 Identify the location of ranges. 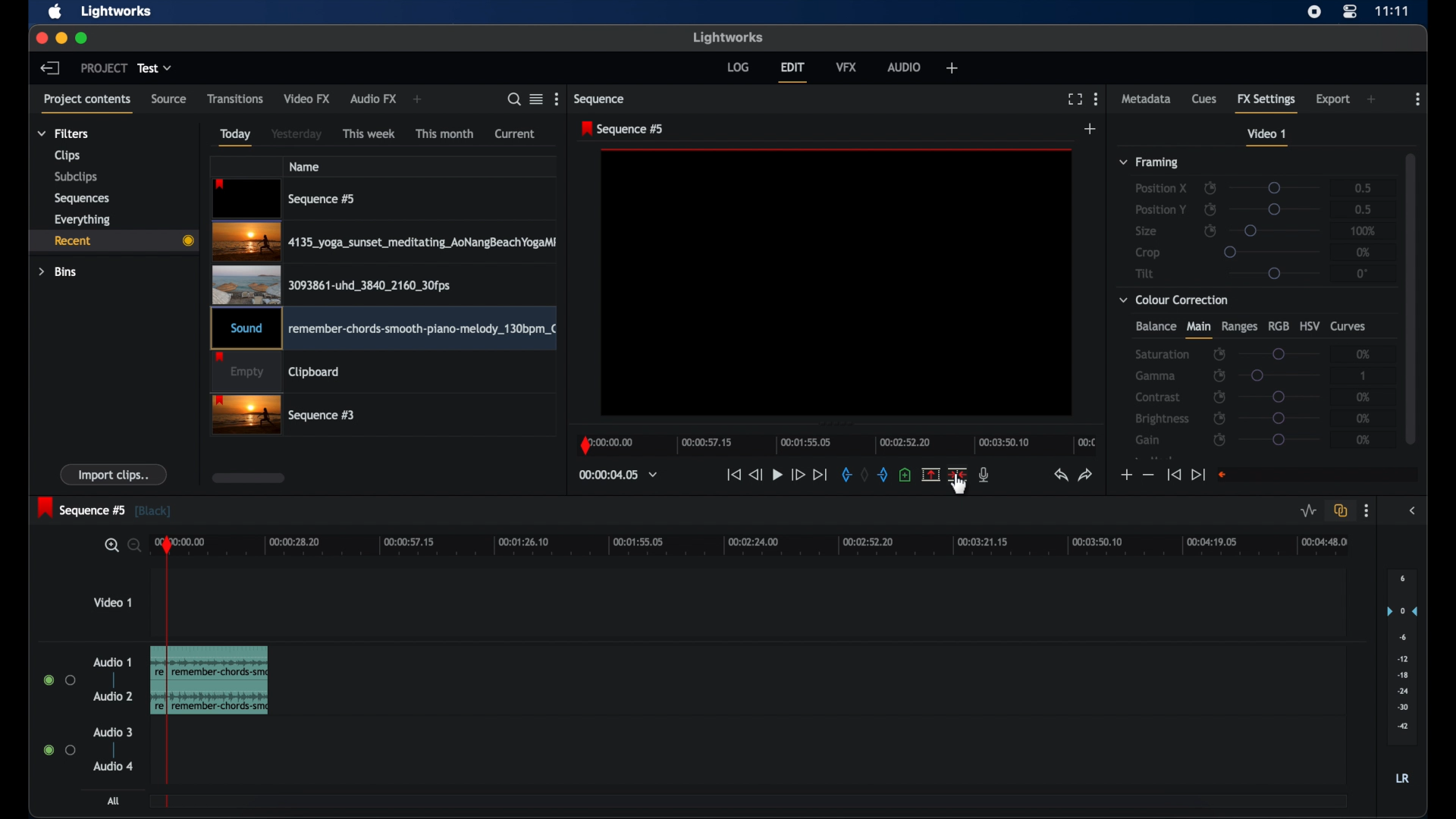
(1239, 327).